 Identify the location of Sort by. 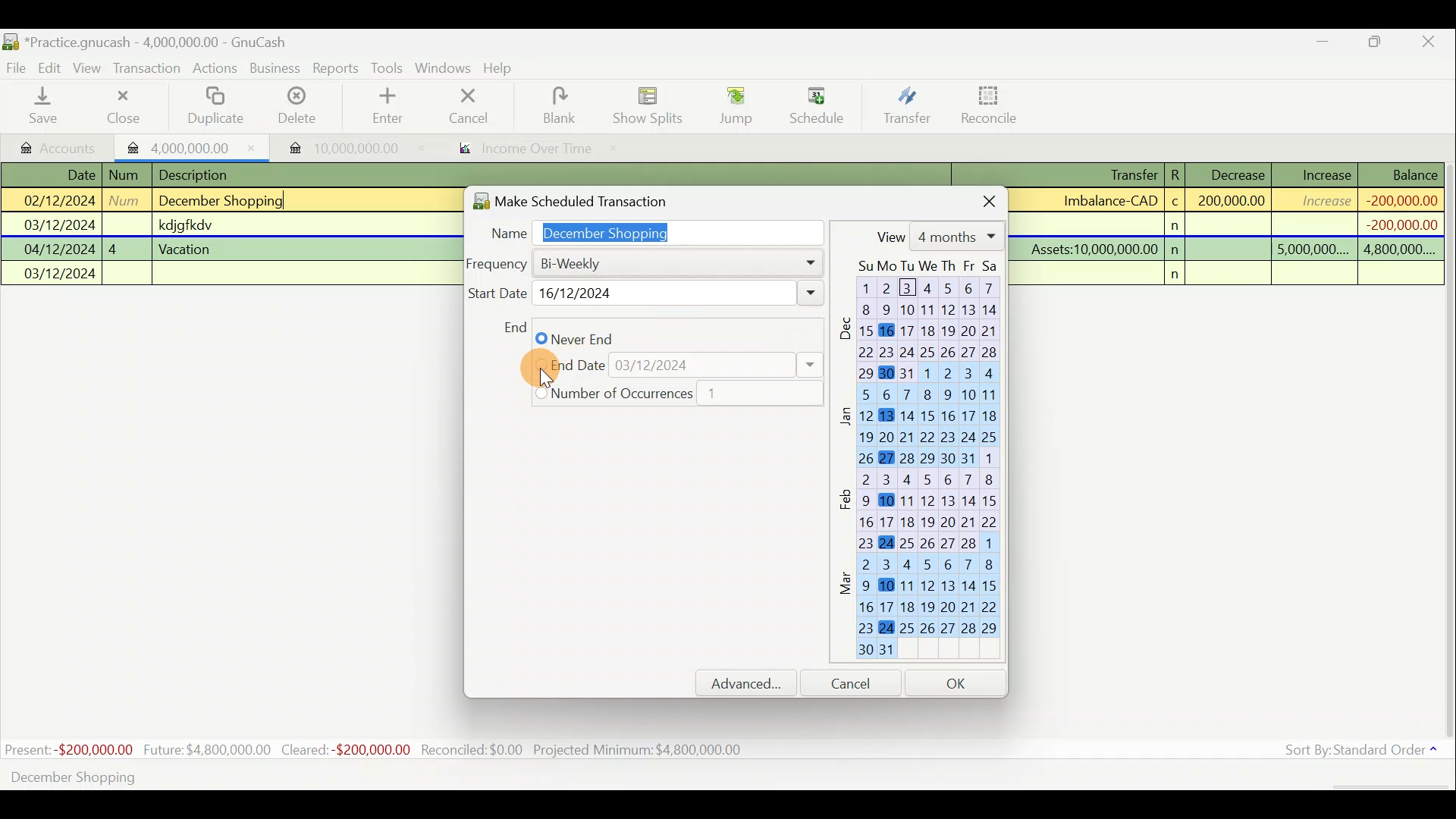
(1364, 753).